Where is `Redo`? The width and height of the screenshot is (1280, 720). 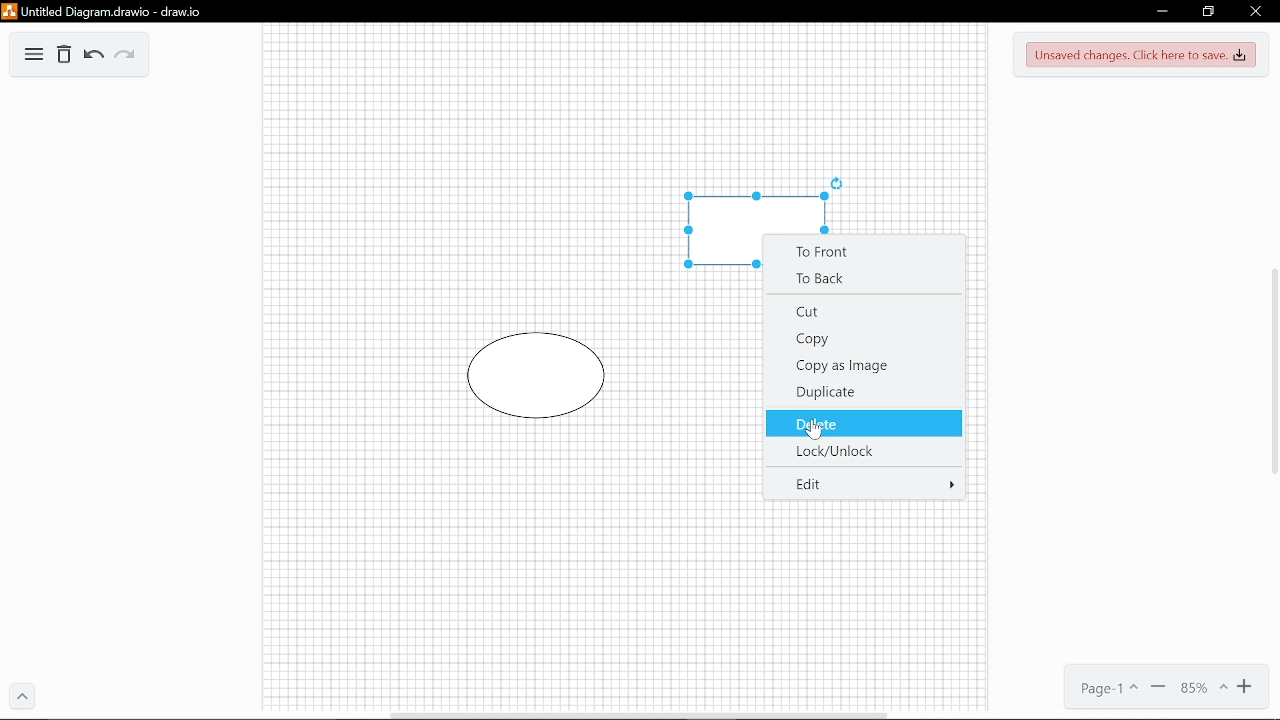
Redo is located at coordinates (124, 57).